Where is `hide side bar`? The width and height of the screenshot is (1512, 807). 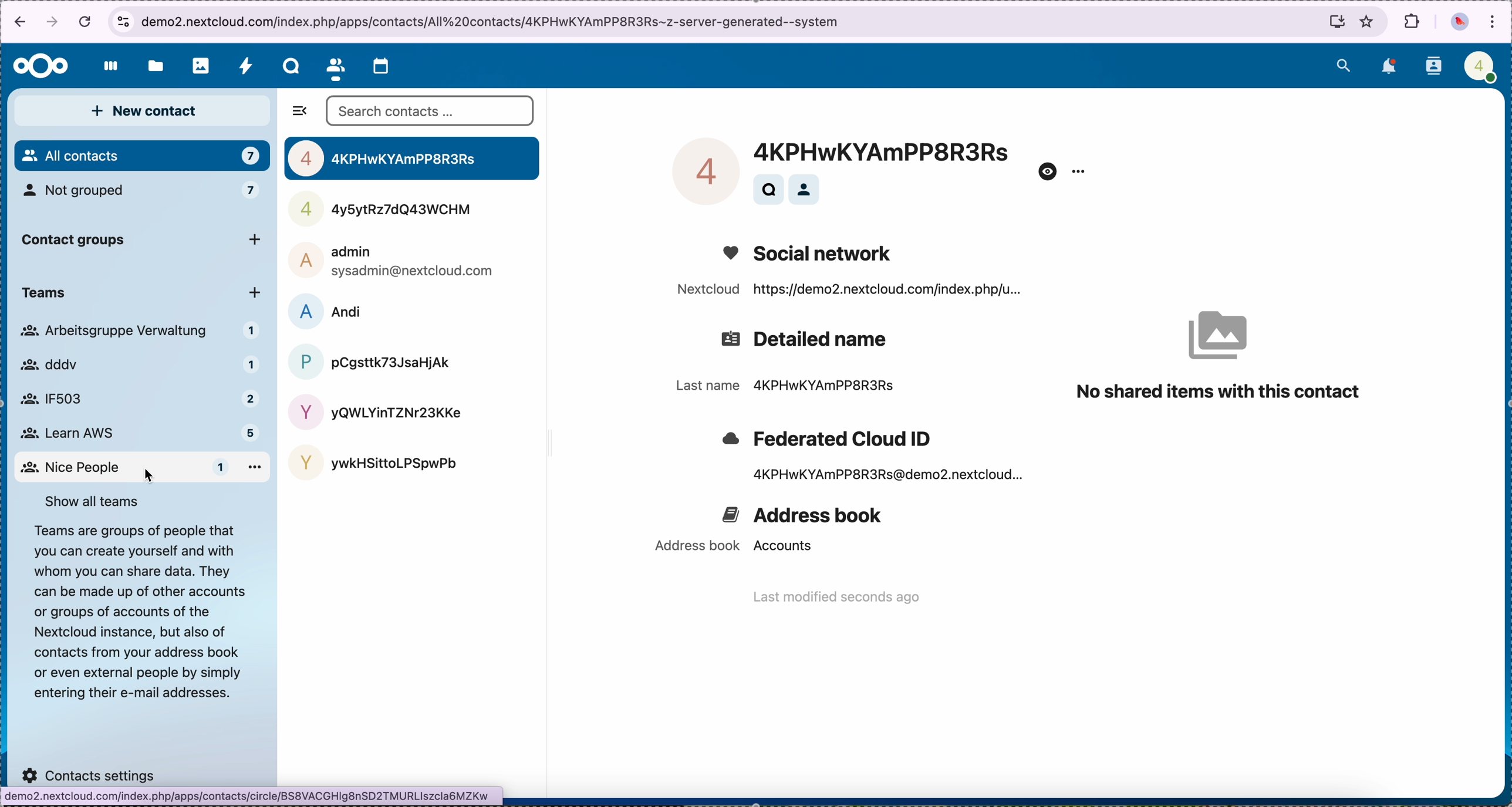
hide side bar is located at coordinates (301, 113).